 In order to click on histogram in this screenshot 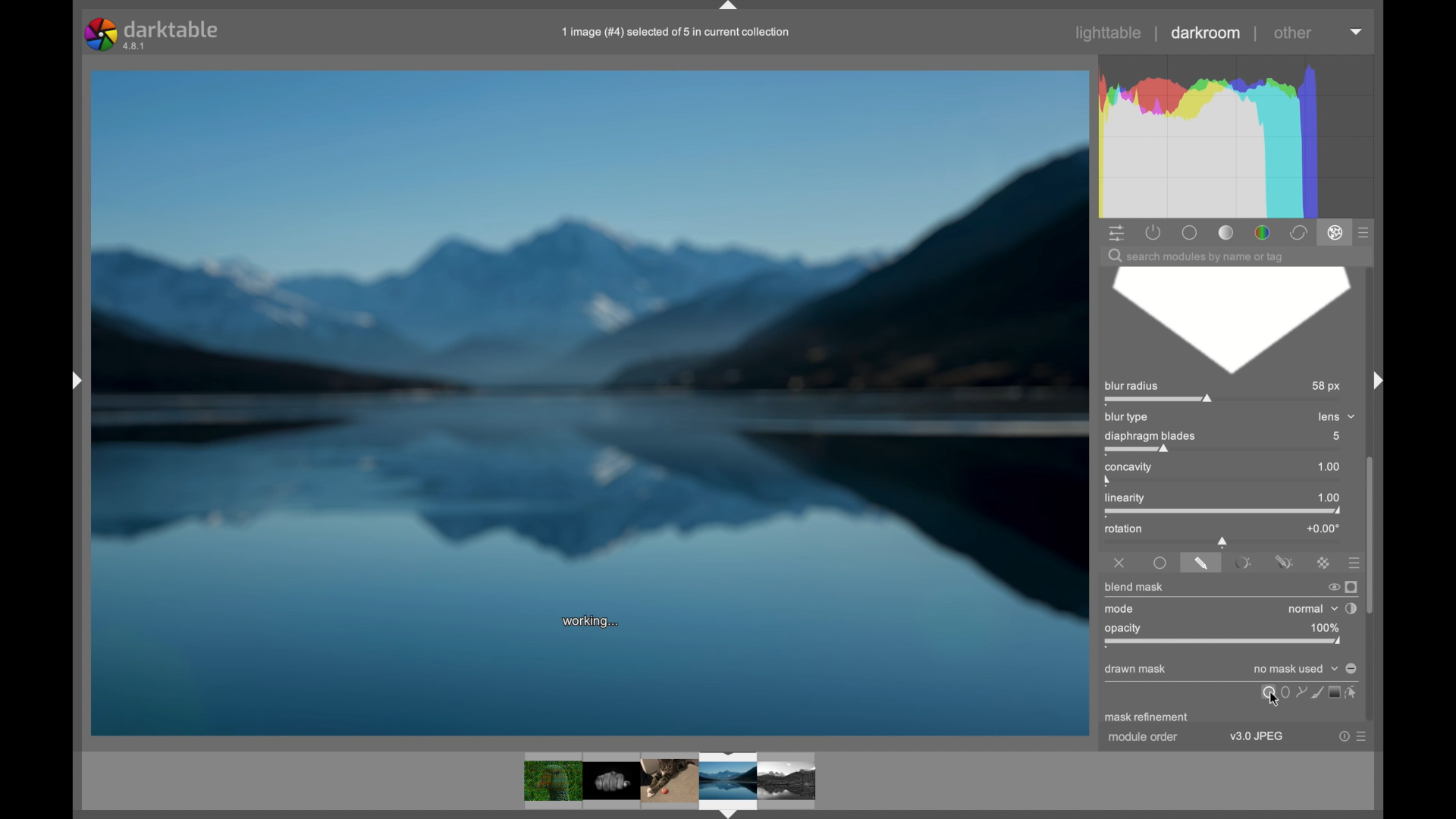, I will do `click(1241, 135)`.